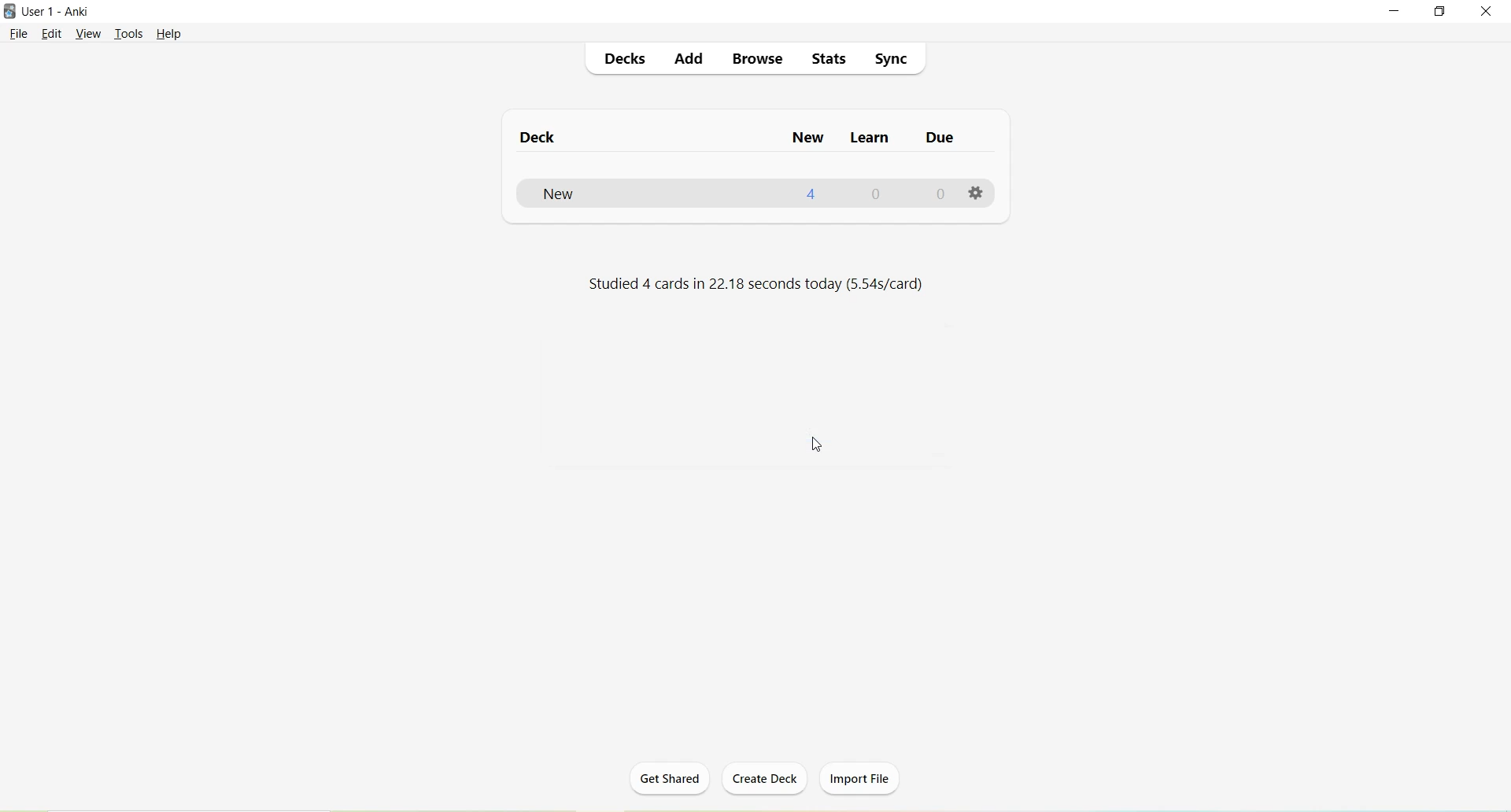 This screenshot has height=812, width=1511. What do you see at coordinates (51, 35) in the screenshot?
I see `Edit` at bounding box center [51, 35].